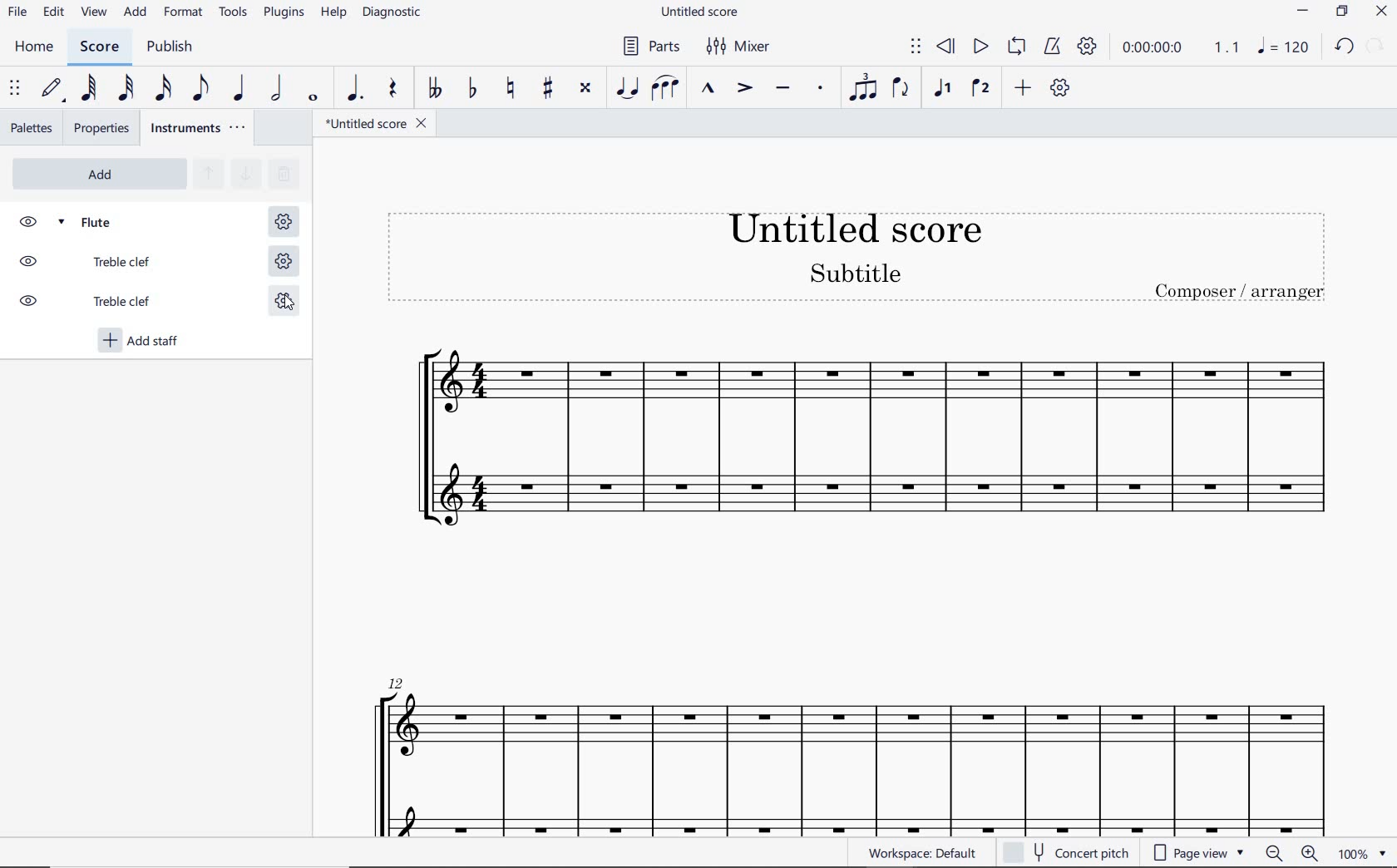 This screenshot has width=1397, height=868. What do you see at coordinates (15, 91) in the screenshot?
I see `SELECT TO MOVE` at bounding box center [15, 91].